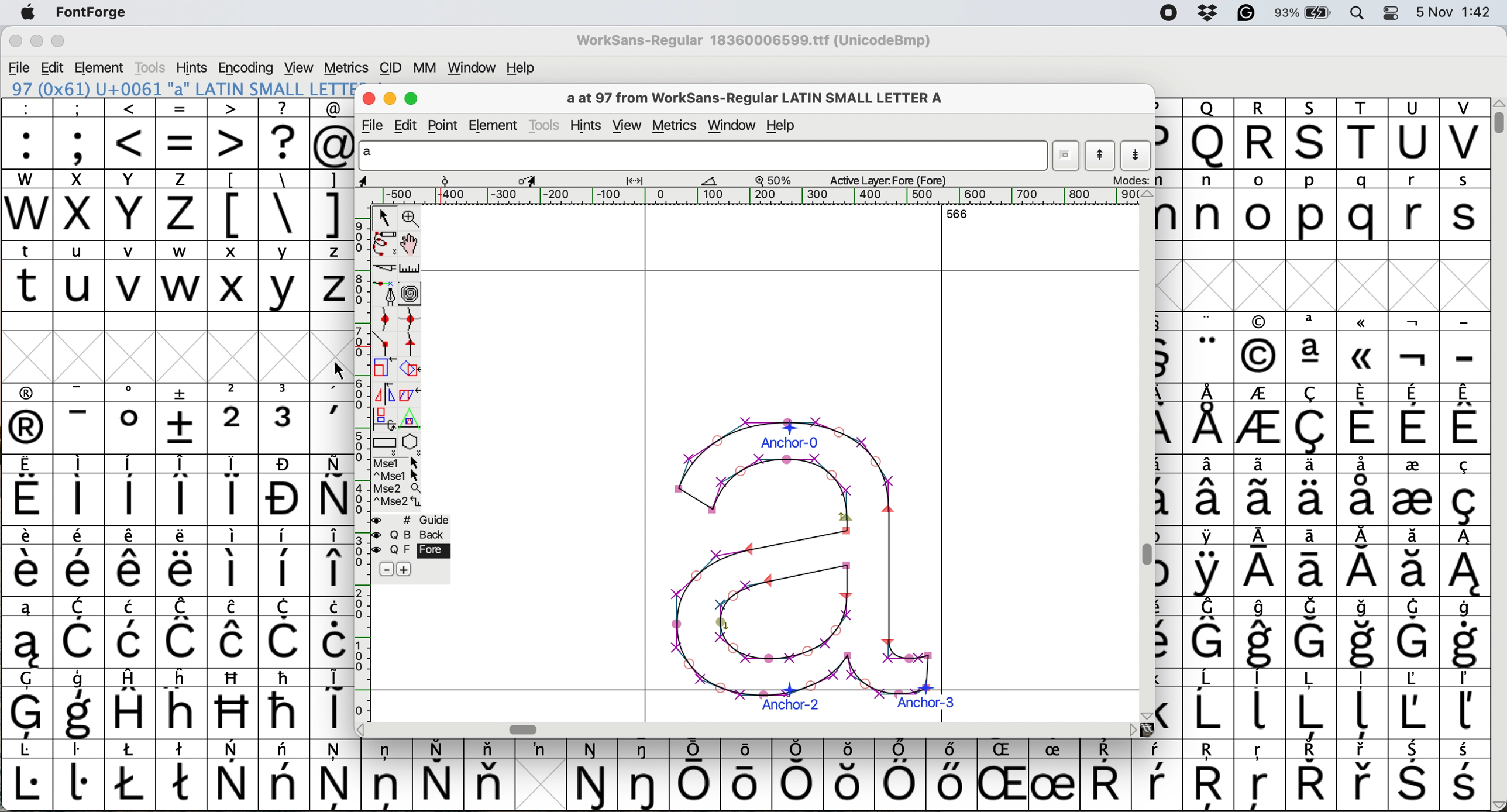 The height and width of the screenshot is (812, 1507). I want to click on add a  point then drag out its control points, so click(388, 294).